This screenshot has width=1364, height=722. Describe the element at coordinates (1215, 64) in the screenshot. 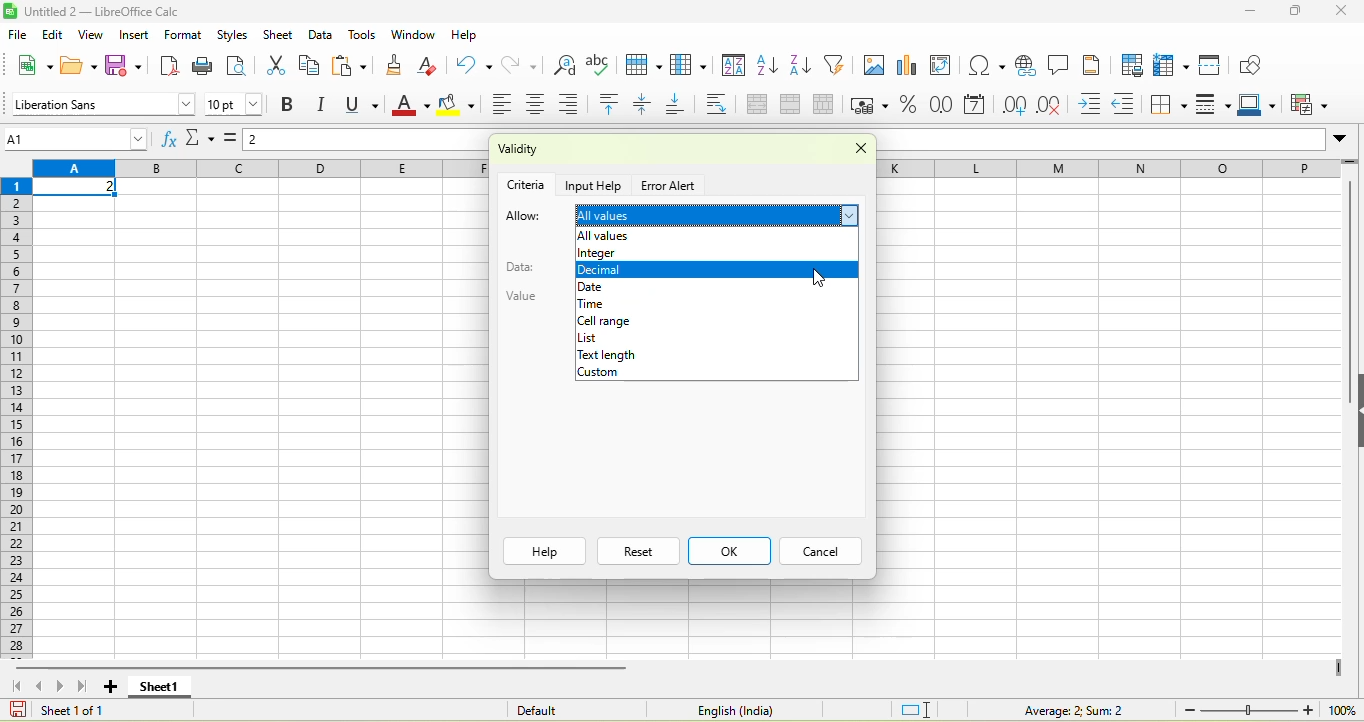

I see `split window` at that location.